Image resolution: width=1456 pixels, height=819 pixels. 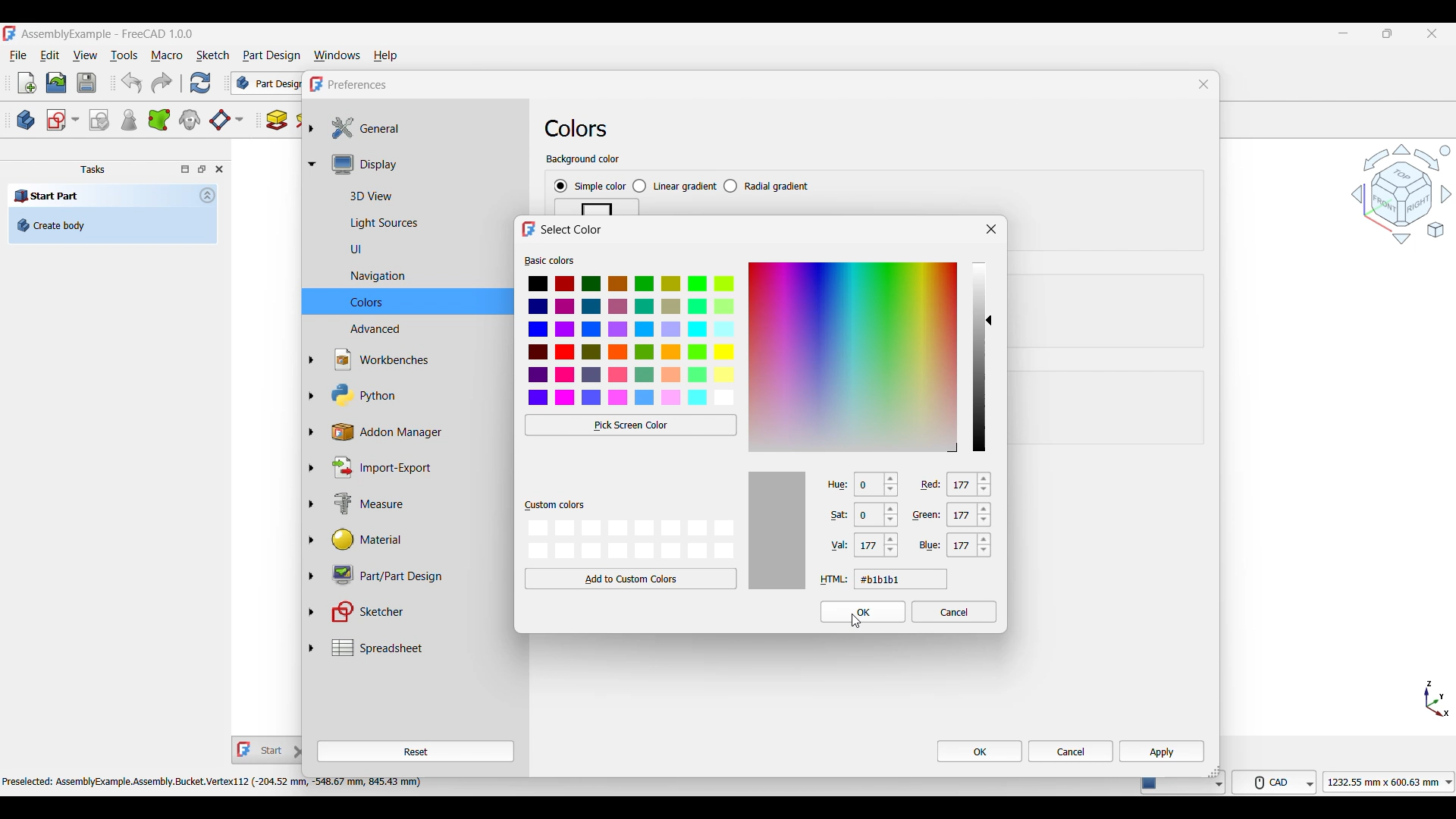 What do you see at coordinates (1392, 782) in the screenshot?
I see ` 1232.55 mmx 600.63 mm` at bounding box center [1392, 782].